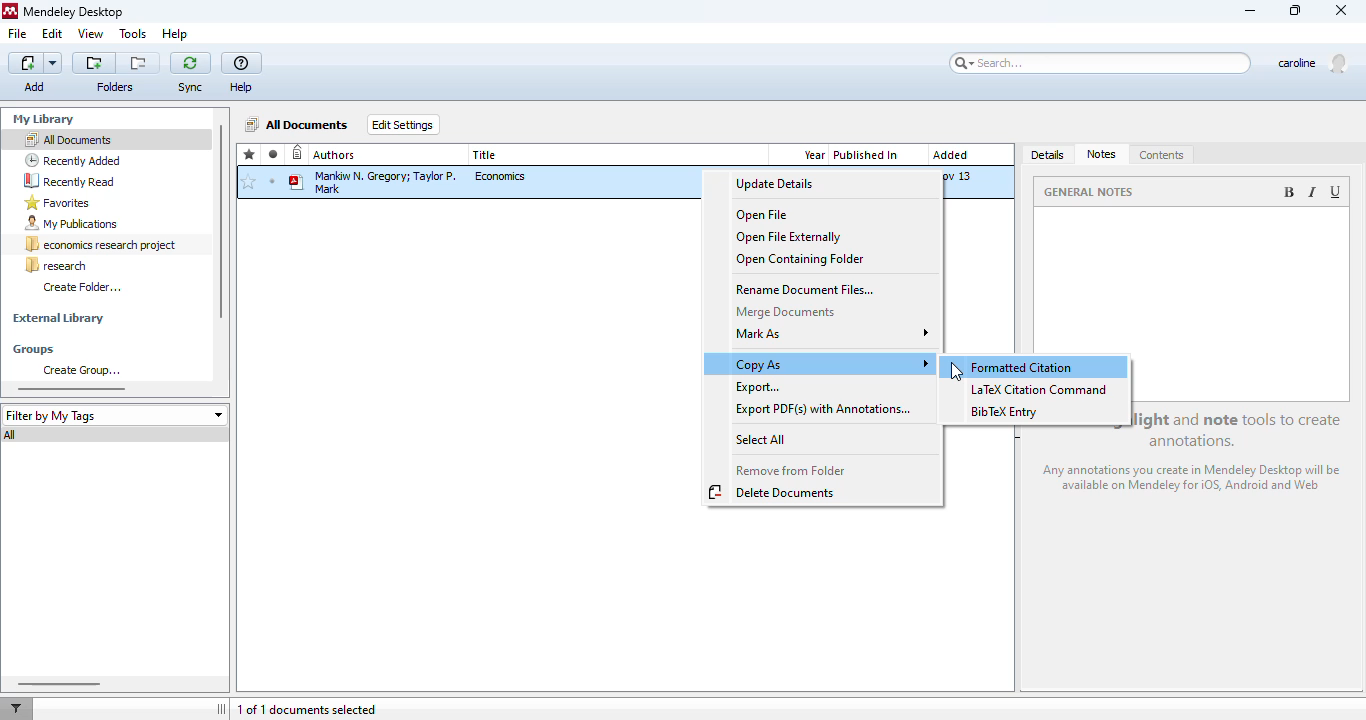  I want to click on edit, so click(52, 33).